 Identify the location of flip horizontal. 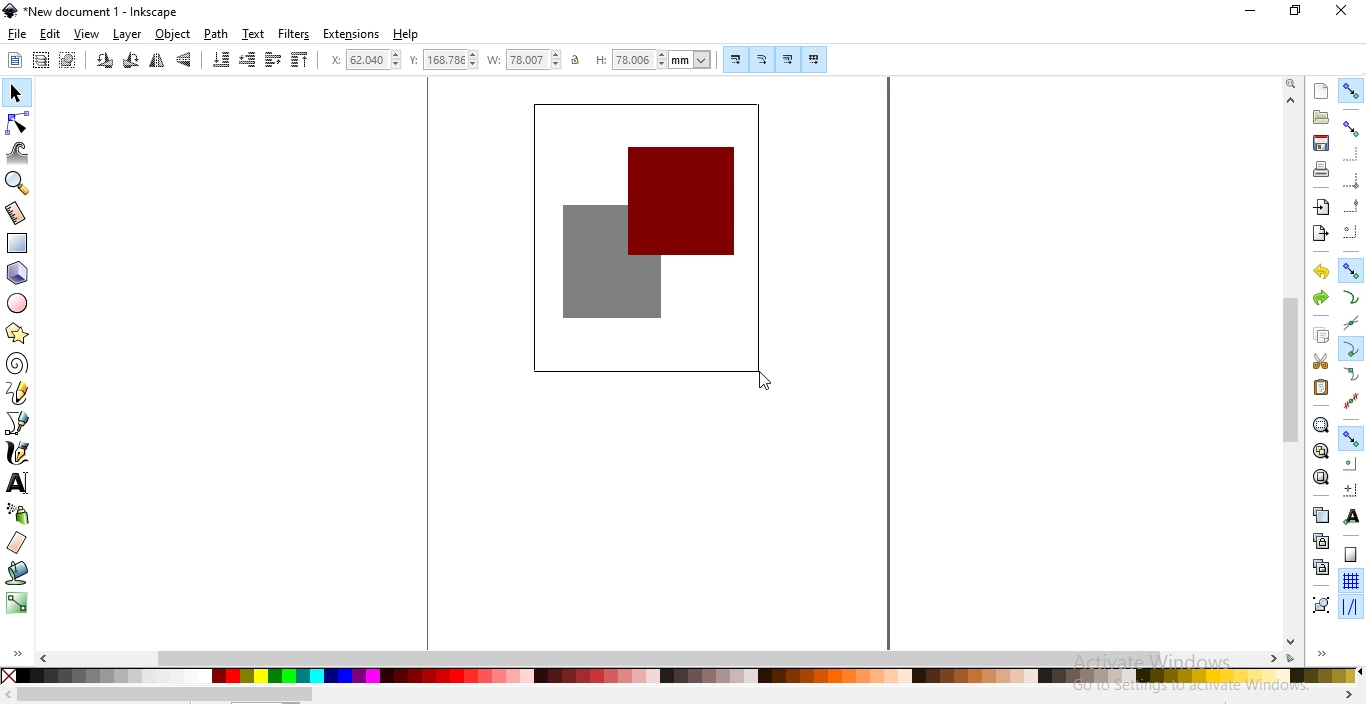
(157, 62).